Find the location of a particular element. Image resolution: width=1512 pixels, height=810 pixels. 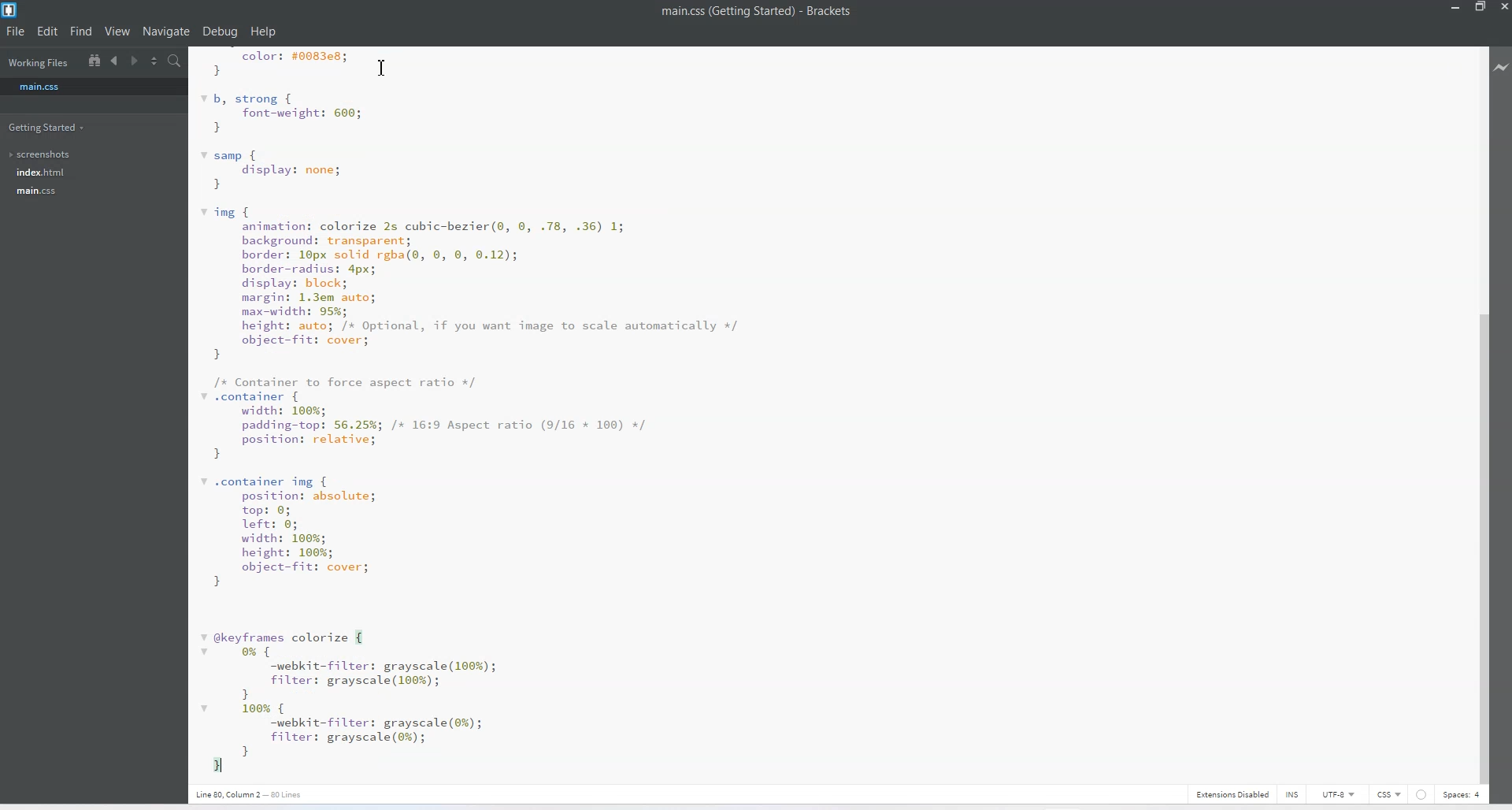

Getting Started is located at coordinates (48, 127).